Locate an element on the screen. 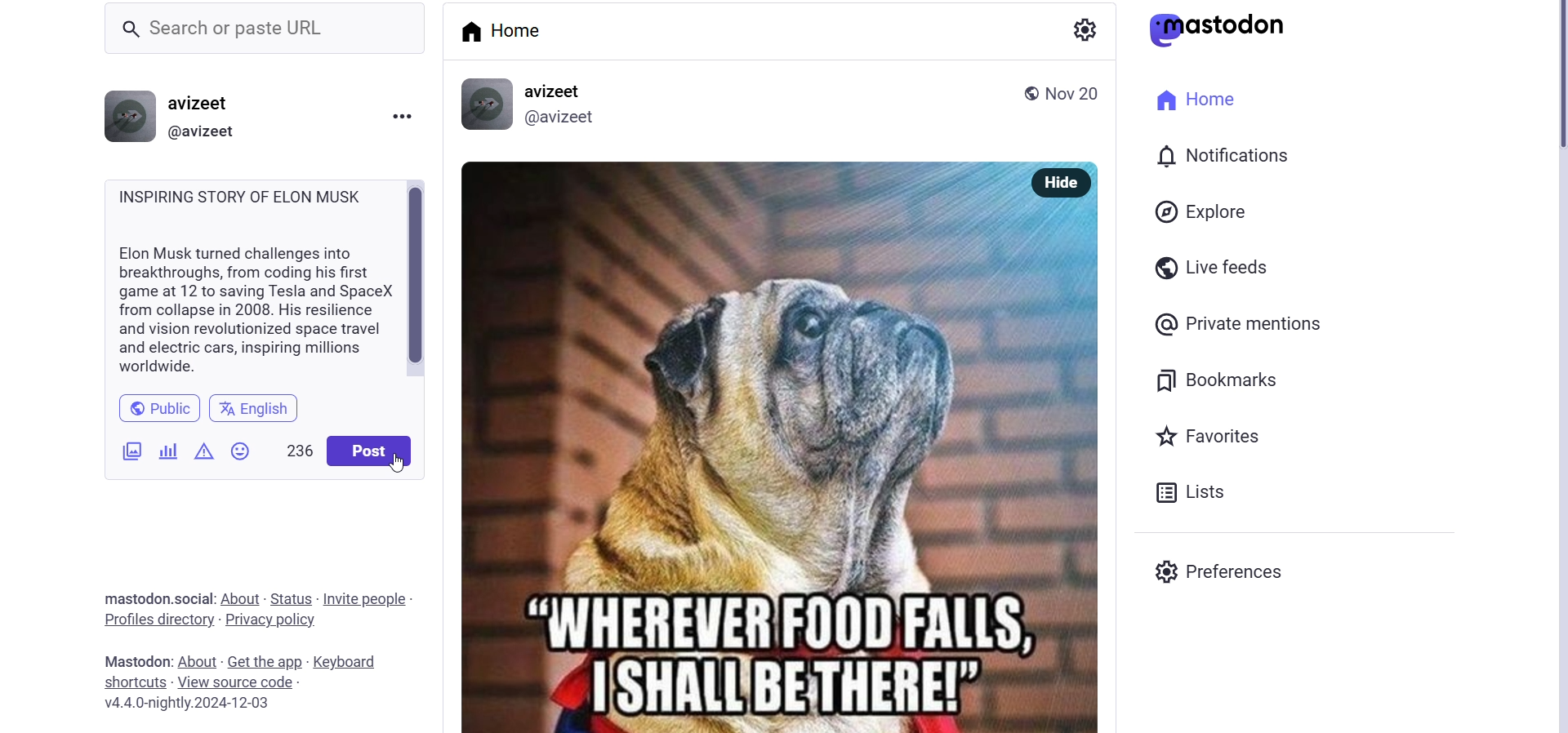  date posted is located at coordinates (1078, 97).